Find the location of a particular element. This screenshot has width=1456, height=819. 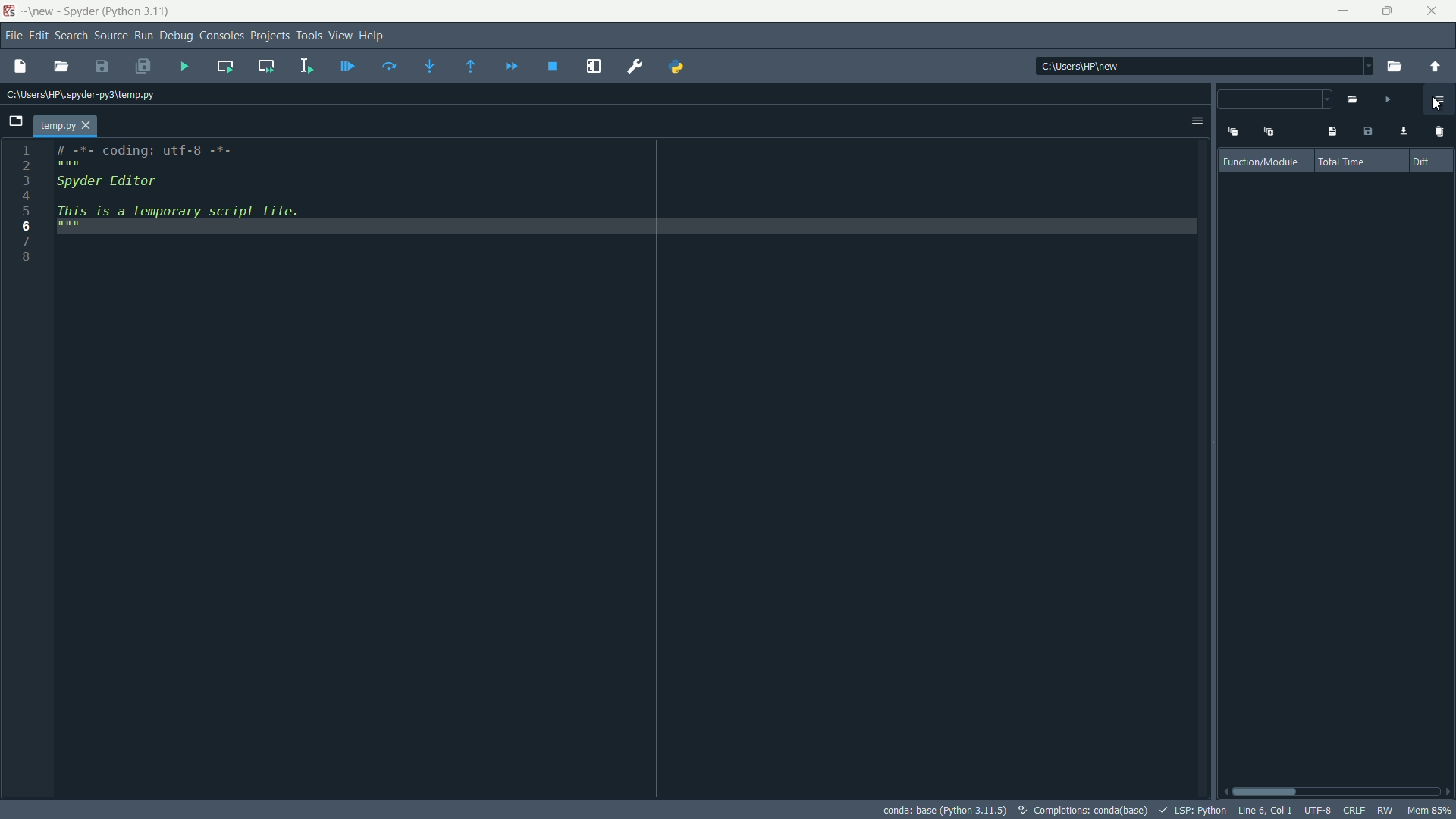

file encoding is located at coordinates (1317, 811).